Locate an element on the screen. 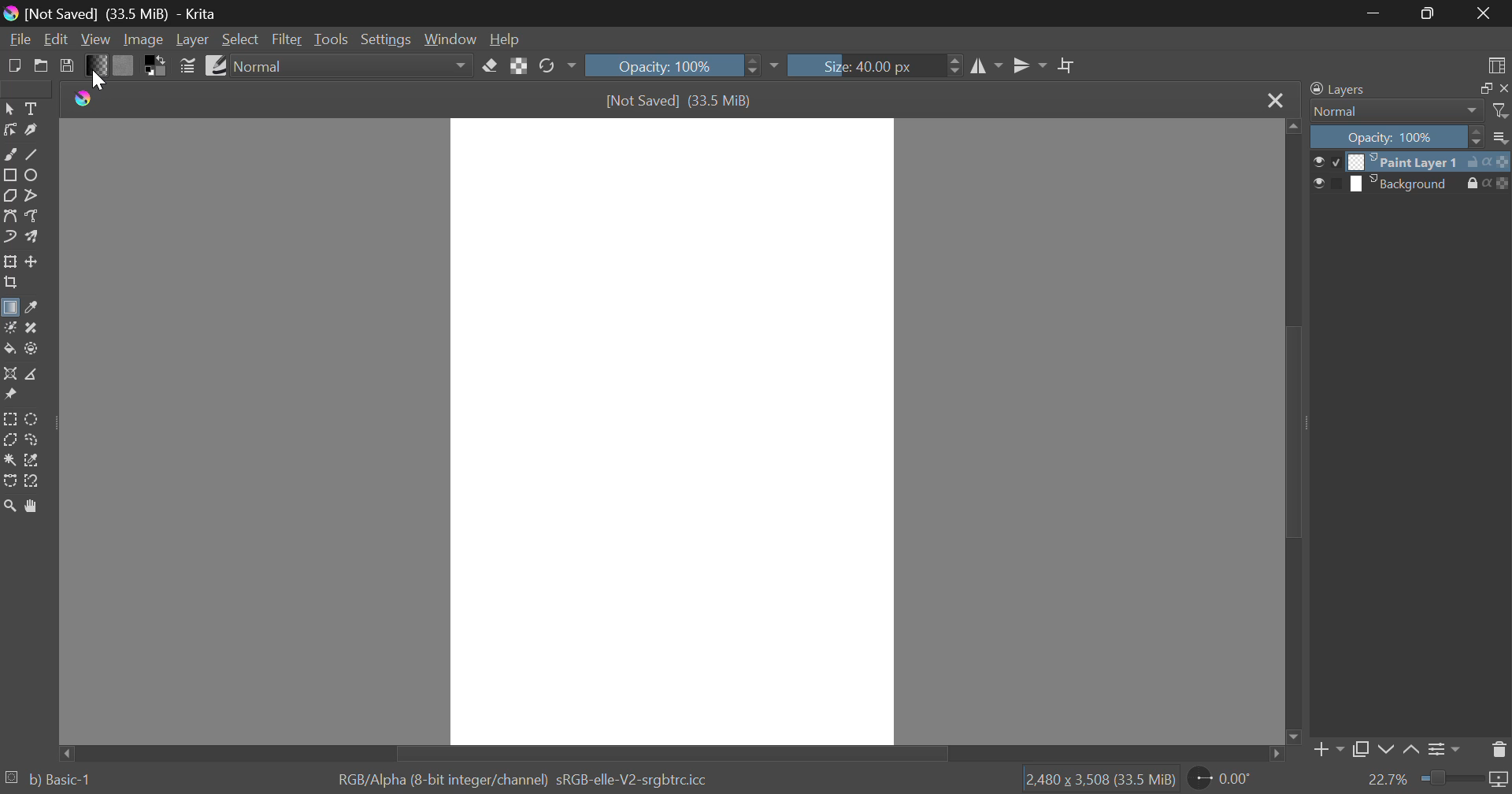 Image resolution: width=1512 pixels, height=794 pixels. Cursor on Gradient Fill is located at coordinates (9, 310).